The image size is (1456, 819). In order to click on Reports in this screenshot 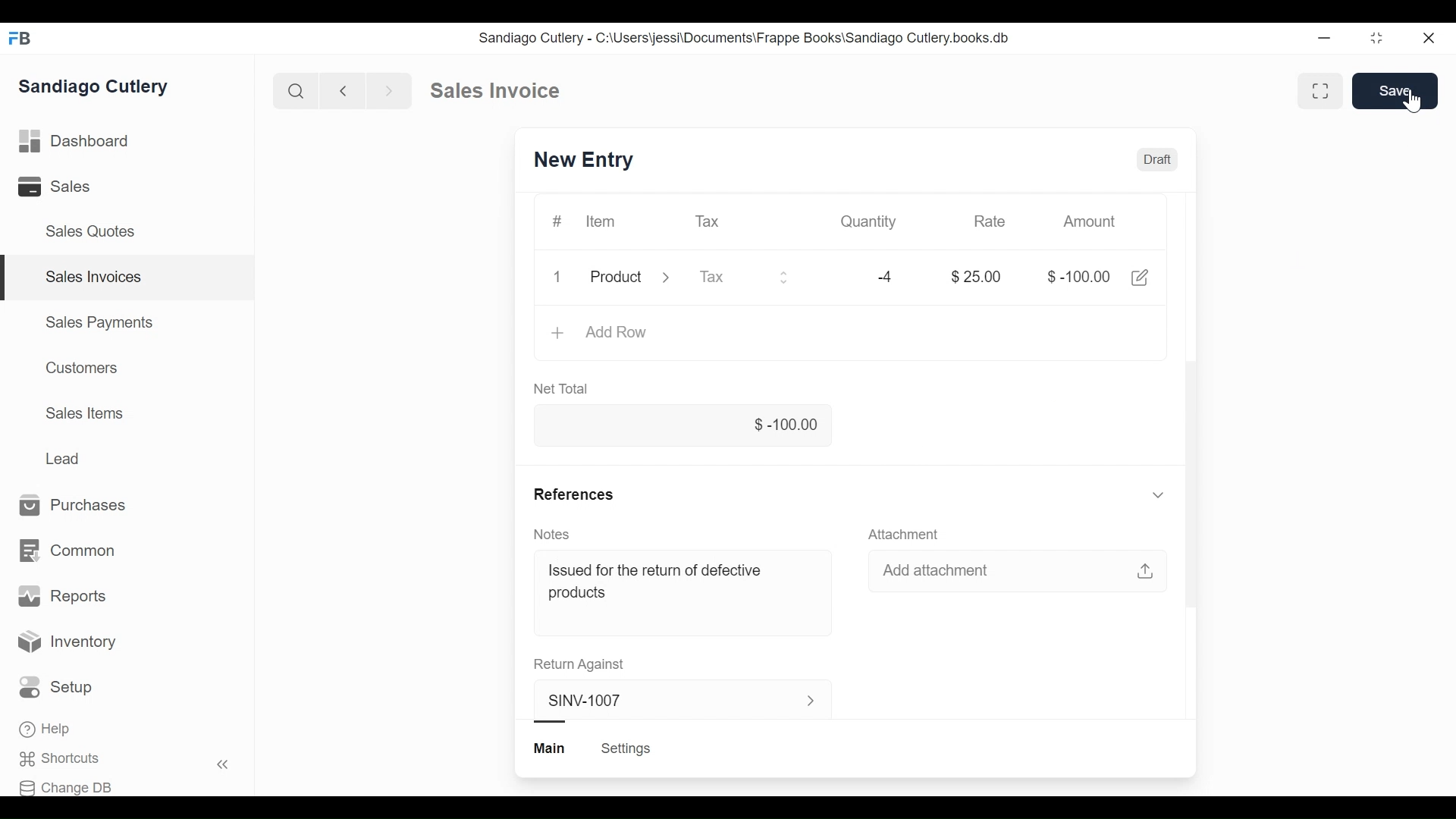, I will do `click(60, 595)`.